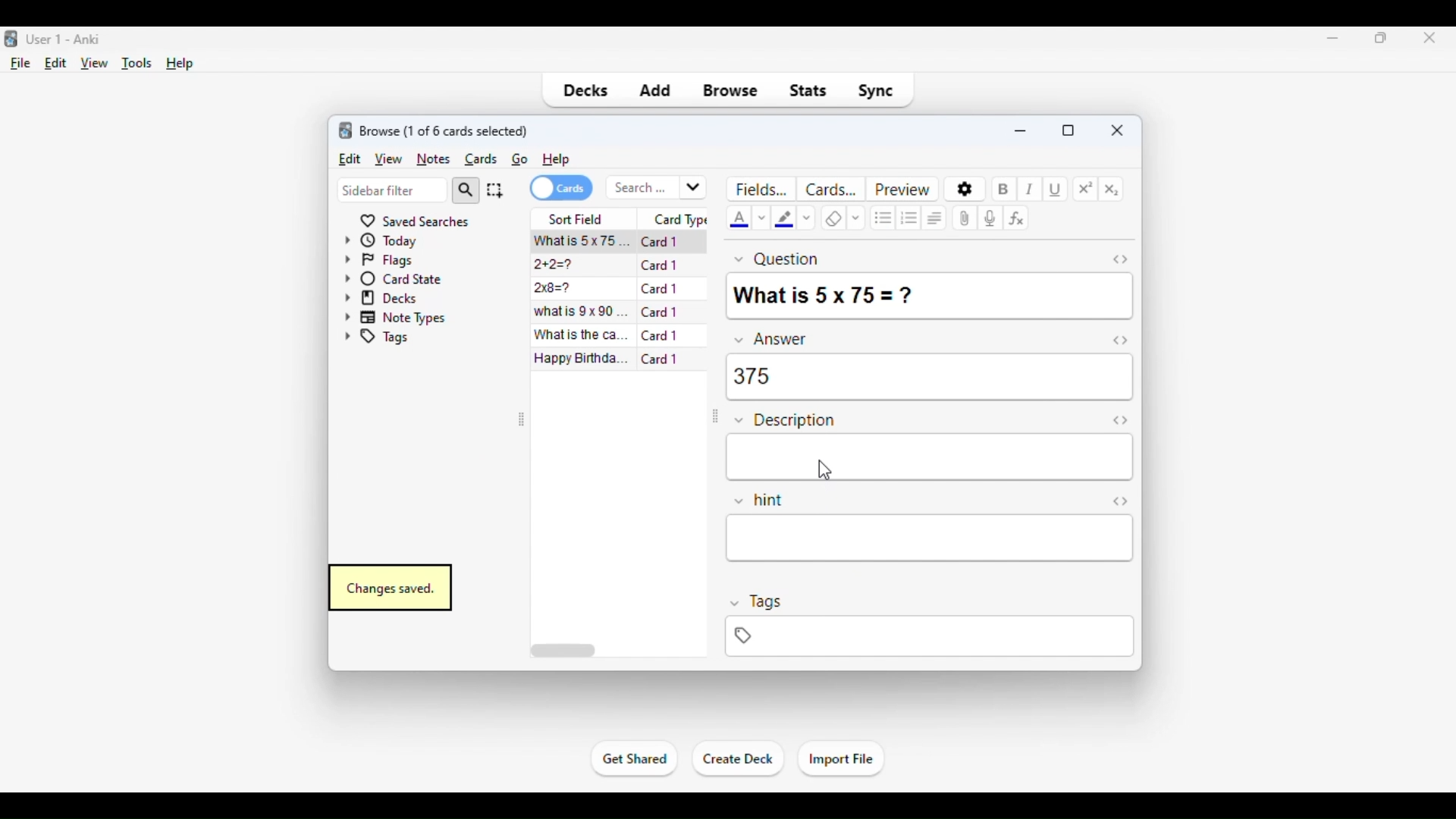 This screenshot has width=1456, height=819. What do you see at coordinates (833, 219) in the screenshot?
I see `remove formatting` at bounding box center [833, 219].